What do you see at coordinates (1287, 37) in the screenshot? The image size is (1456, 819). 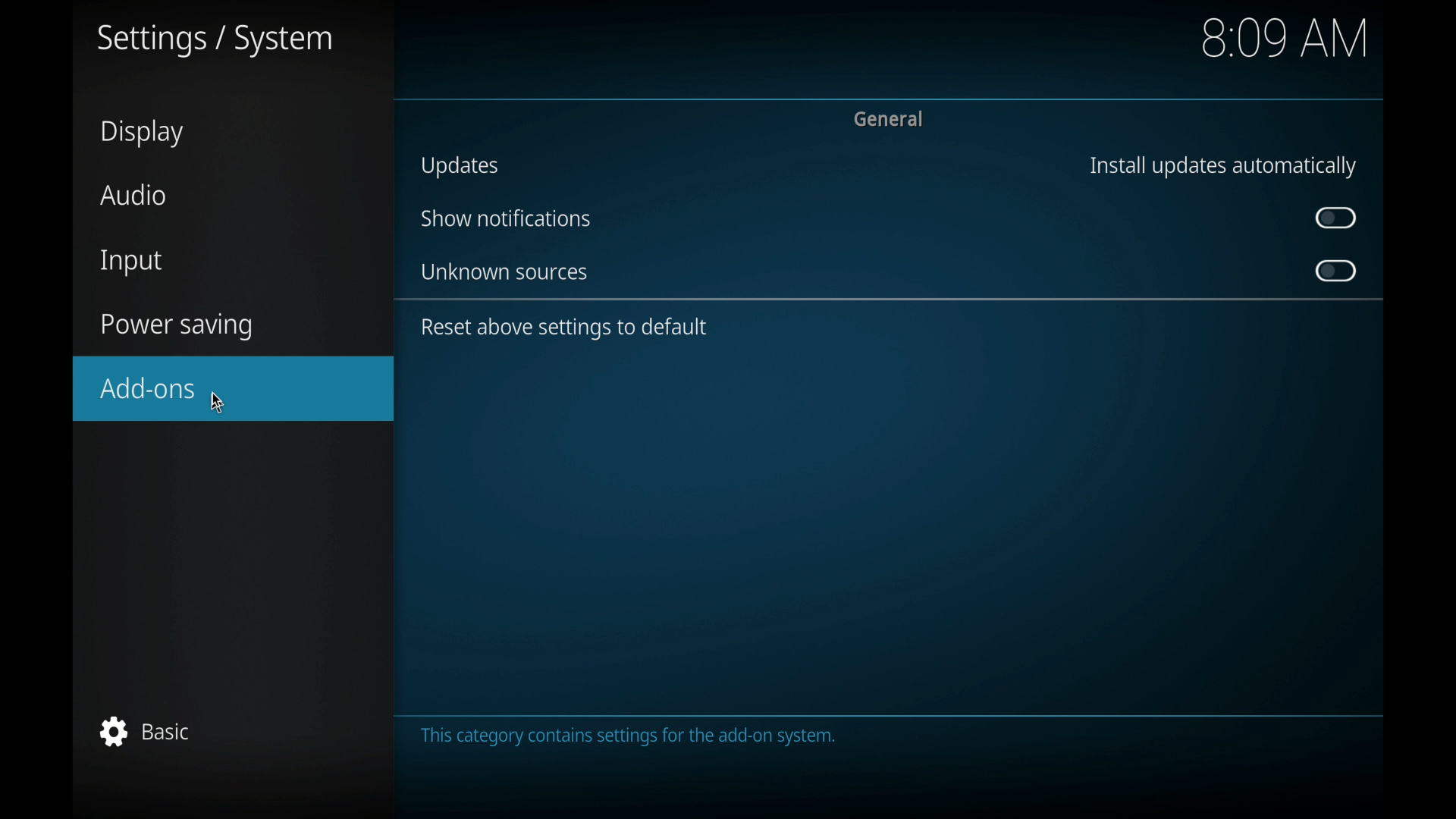 I see `8.09 am` at bounding box center [1287, 37].